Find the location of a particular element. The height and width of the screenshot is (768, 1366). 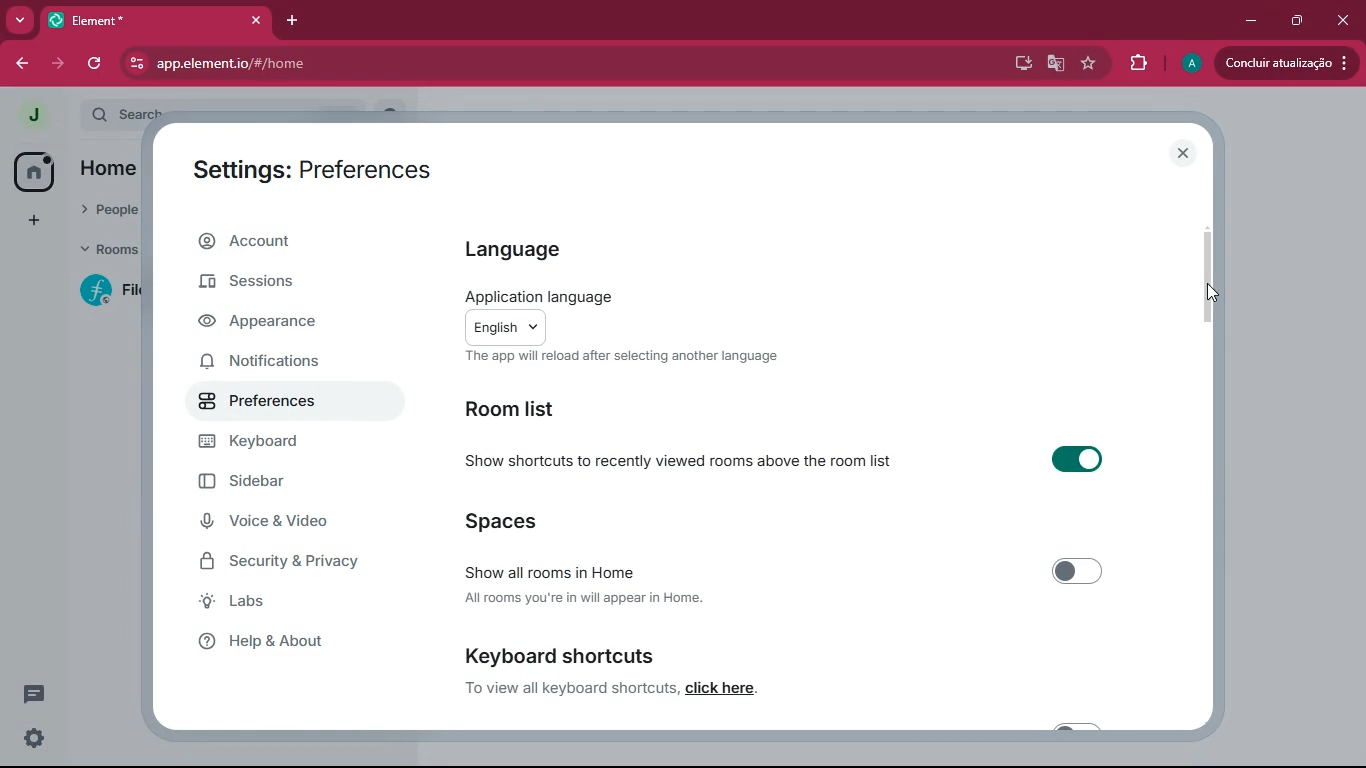

close is located at coordinates (1340, 19).